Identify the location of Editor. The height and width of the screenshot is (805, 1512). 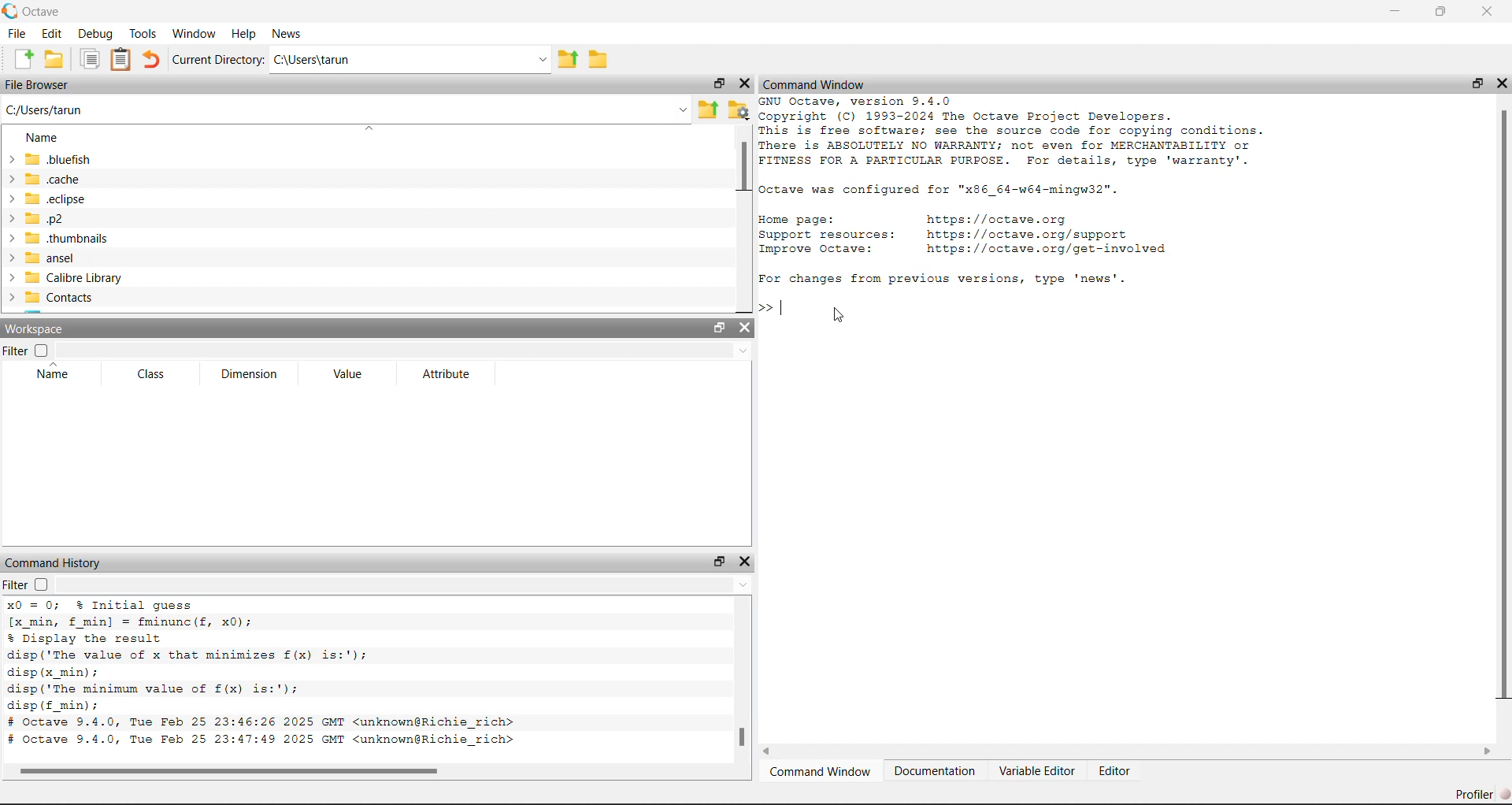
(1121, 770).